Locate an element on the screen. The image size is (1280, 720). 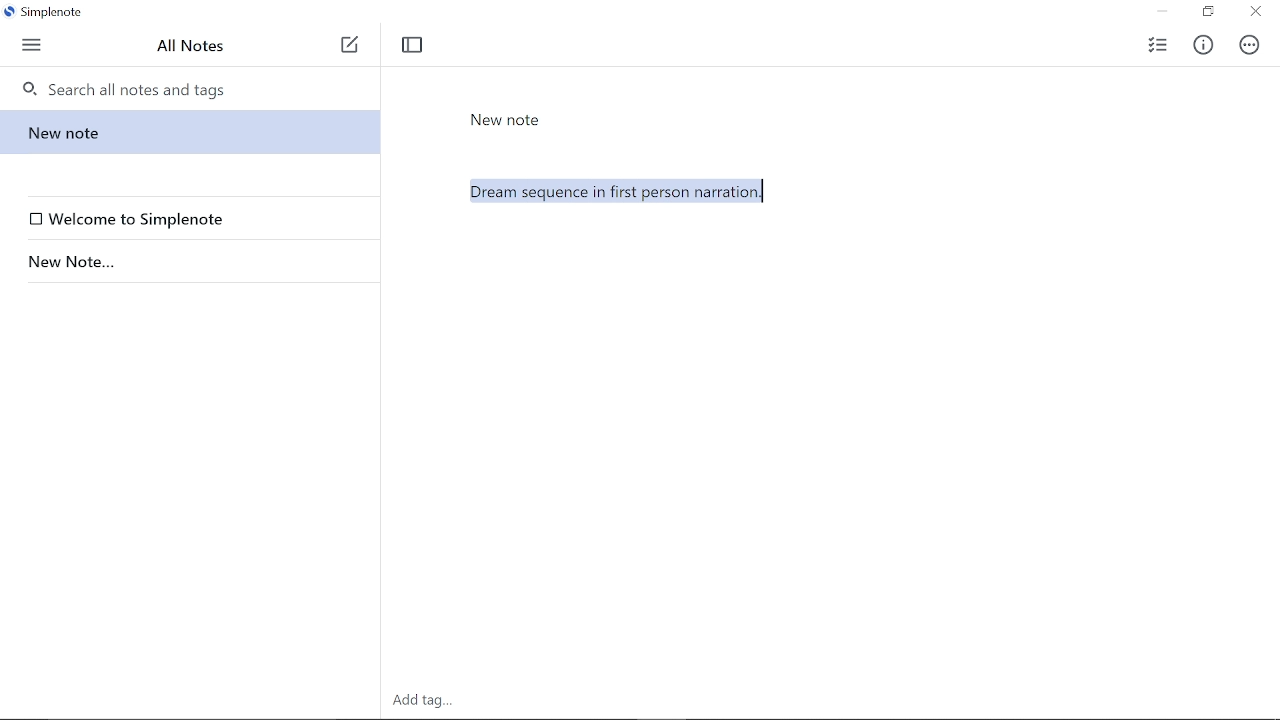
New Note is located at coordinates (506, 120).